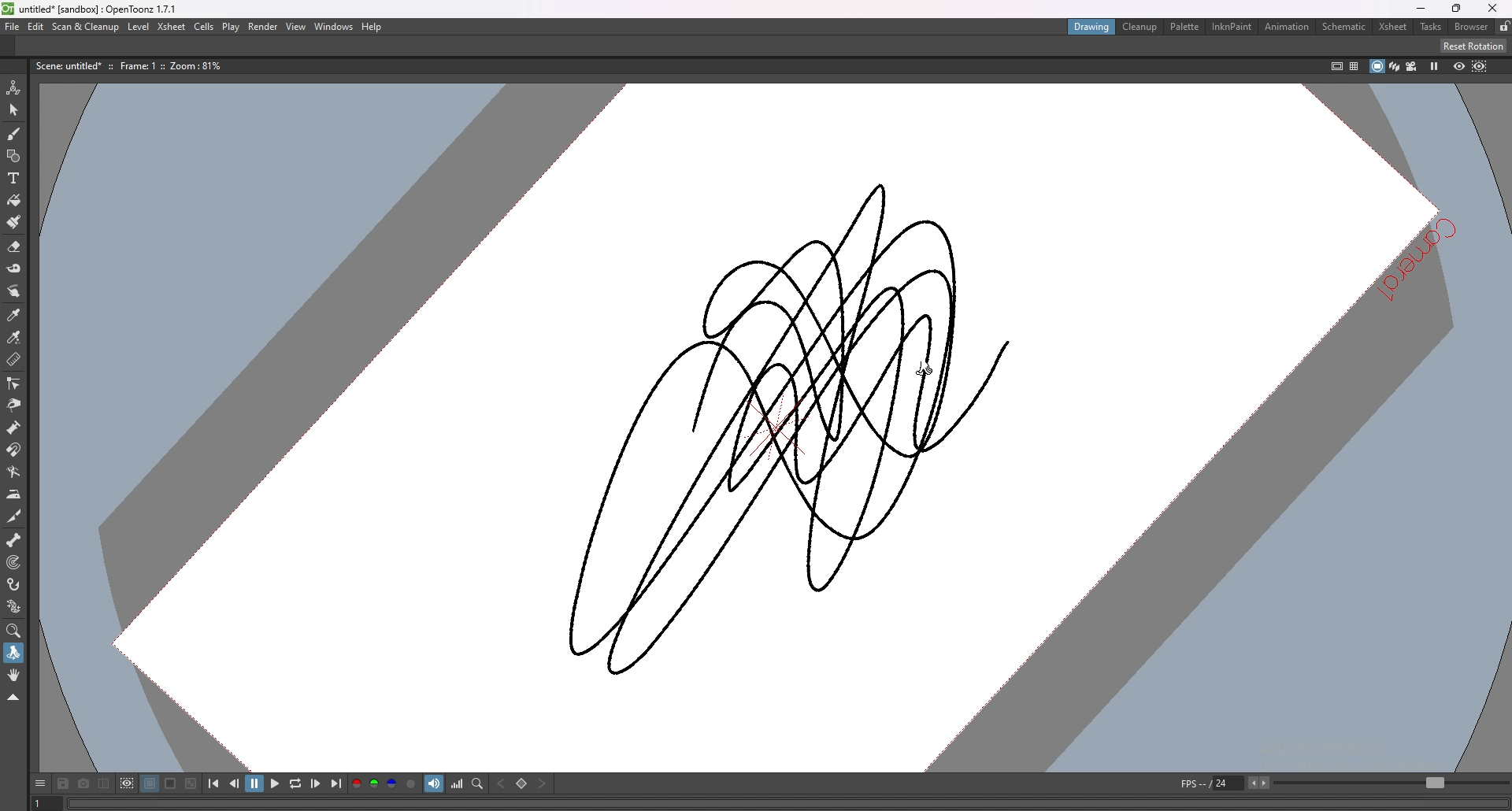 Image resolution: width=1512 pixels, height=811 pixels. I want to click on field guide, so click(1354, 66).